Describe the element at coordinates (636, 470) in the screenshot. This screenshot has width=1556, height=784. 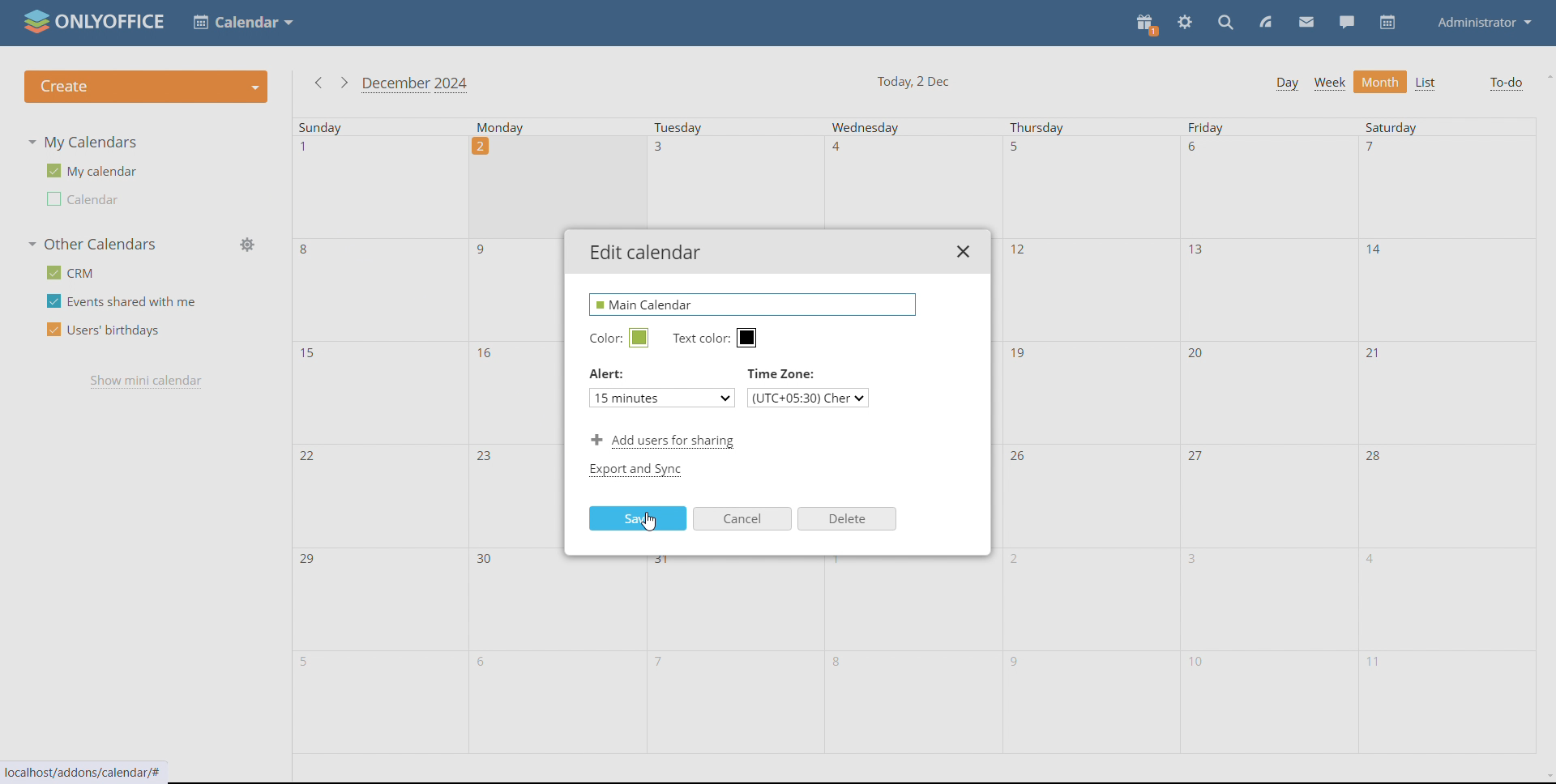
I see `export and sync` at that location.